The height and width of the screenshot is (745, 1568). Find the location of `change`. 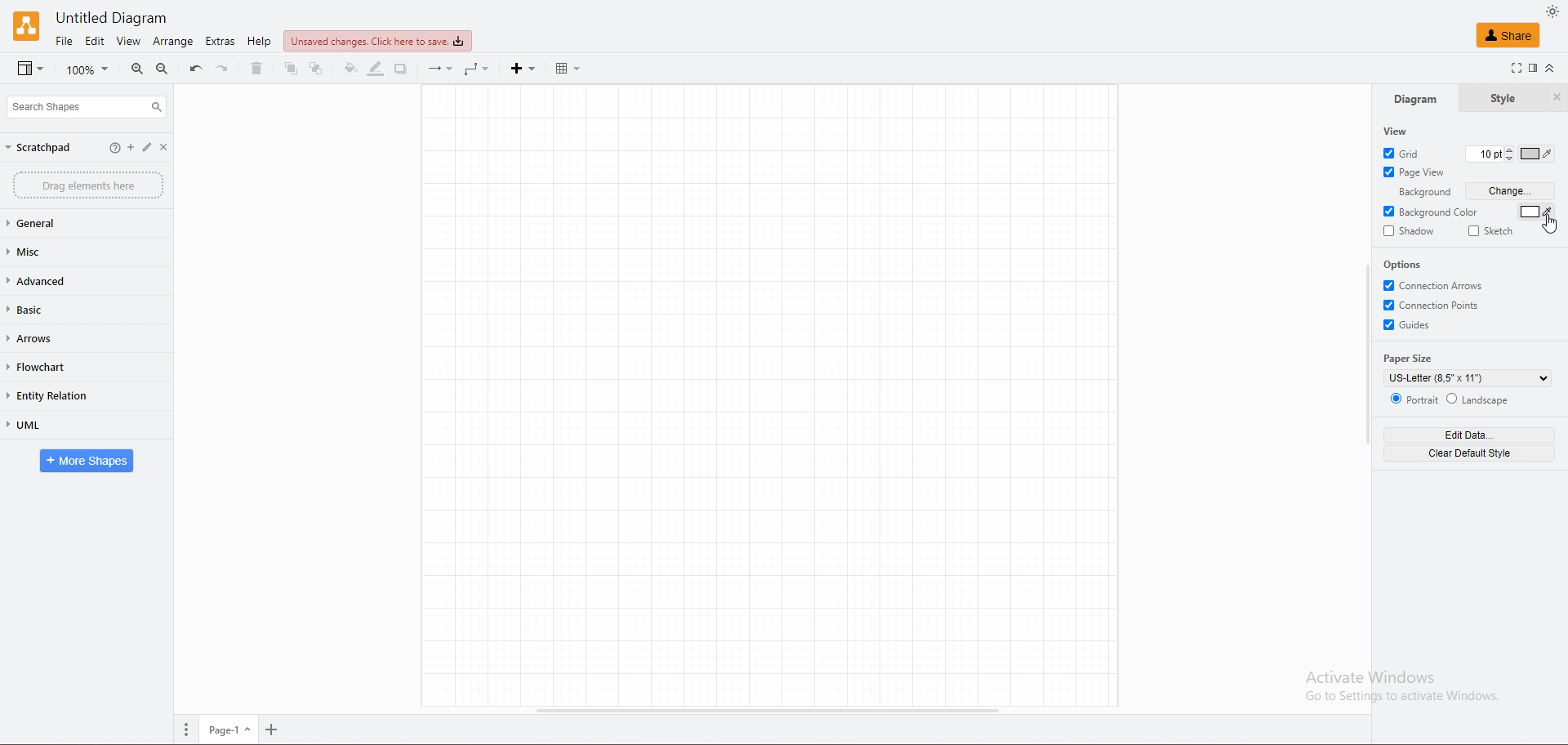

change is located at coordinates (1512, 192).